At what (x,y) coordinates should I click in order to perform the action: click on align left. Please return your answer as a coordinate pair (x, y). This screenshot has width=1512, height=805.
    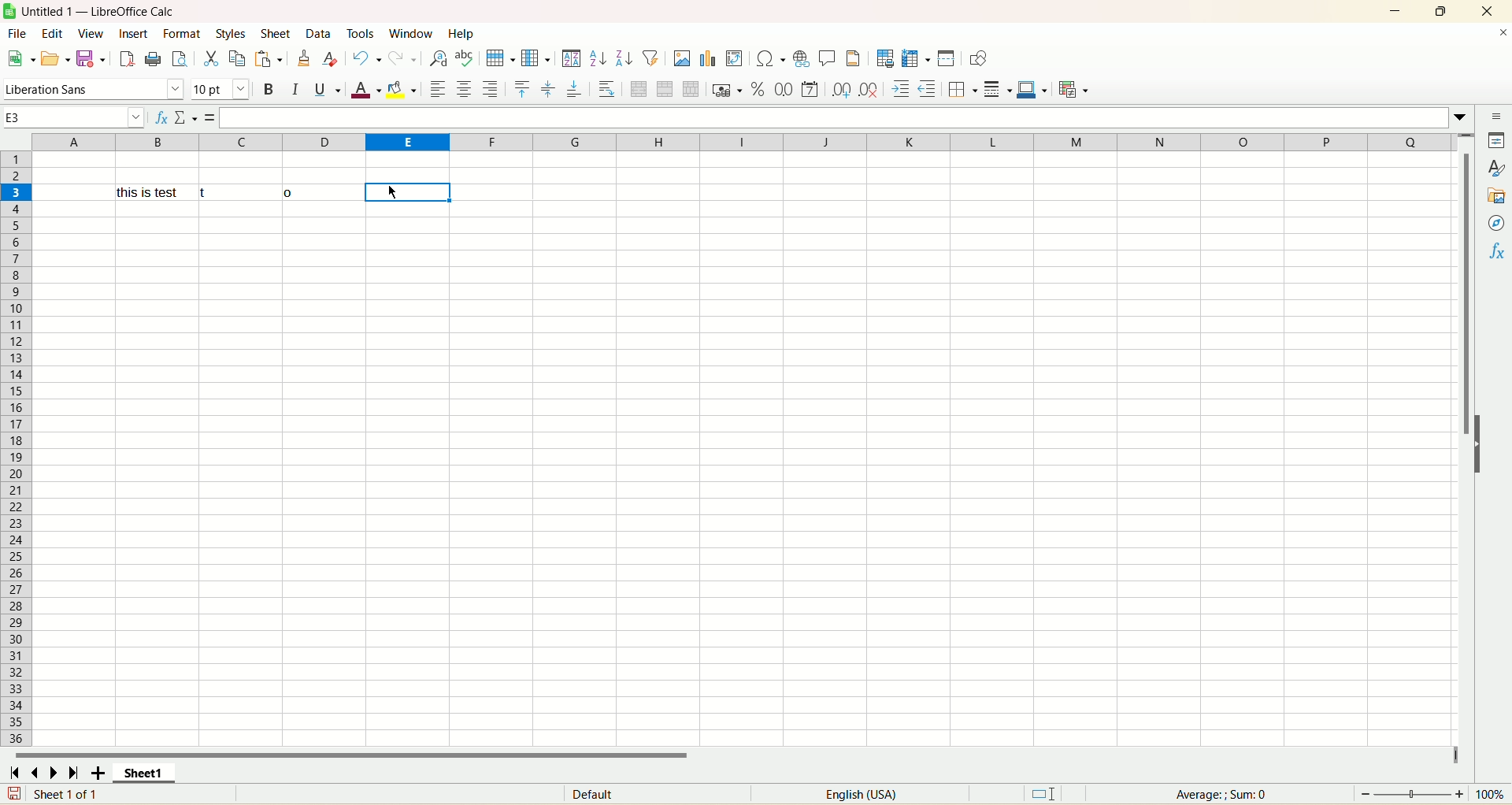
    Looking at the image, I should click on (440, 89).